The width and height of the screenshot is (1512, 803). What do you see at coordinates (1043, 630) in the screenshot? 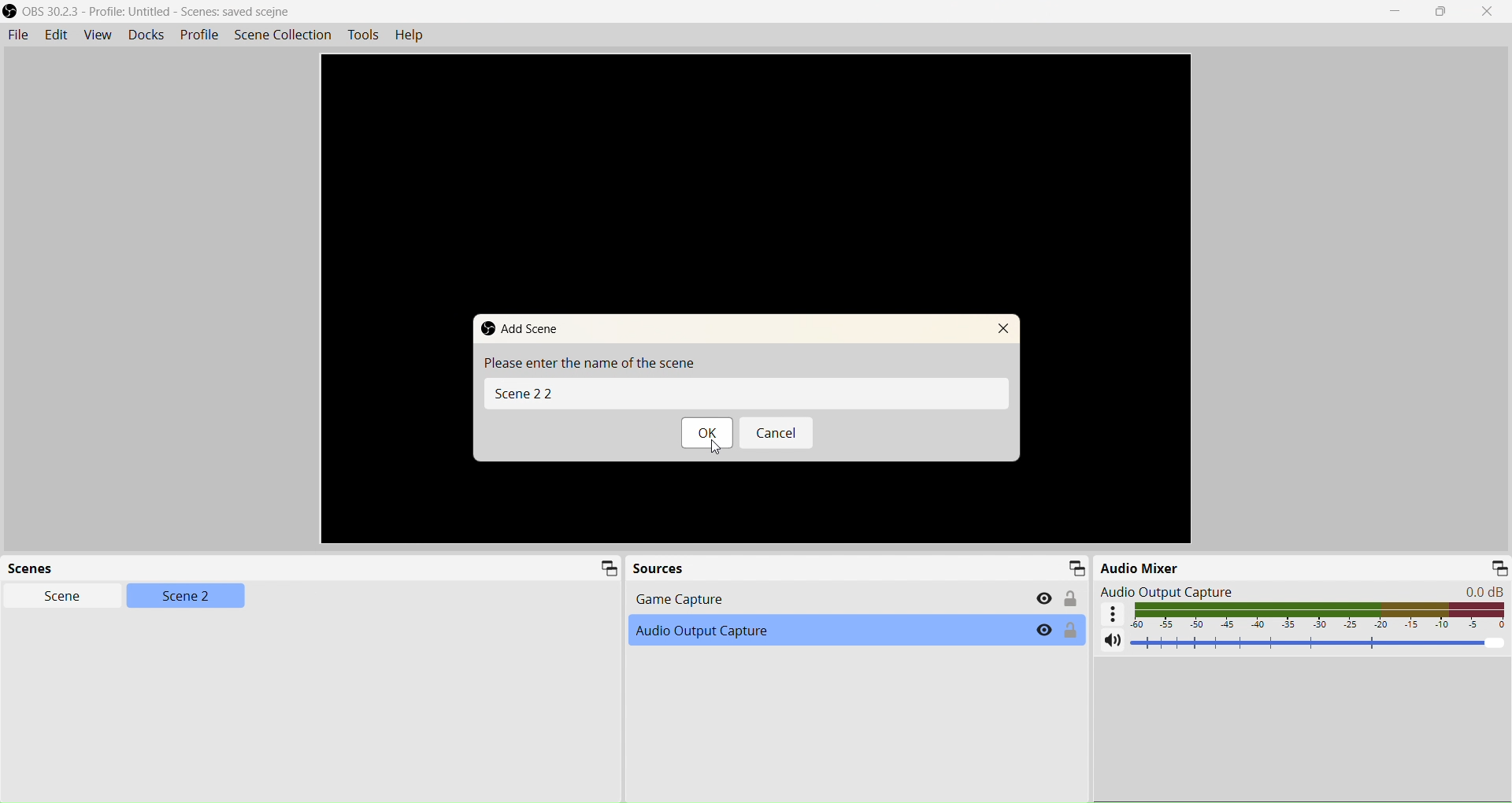
I see `Eye` at bounding box center [1043, 630].